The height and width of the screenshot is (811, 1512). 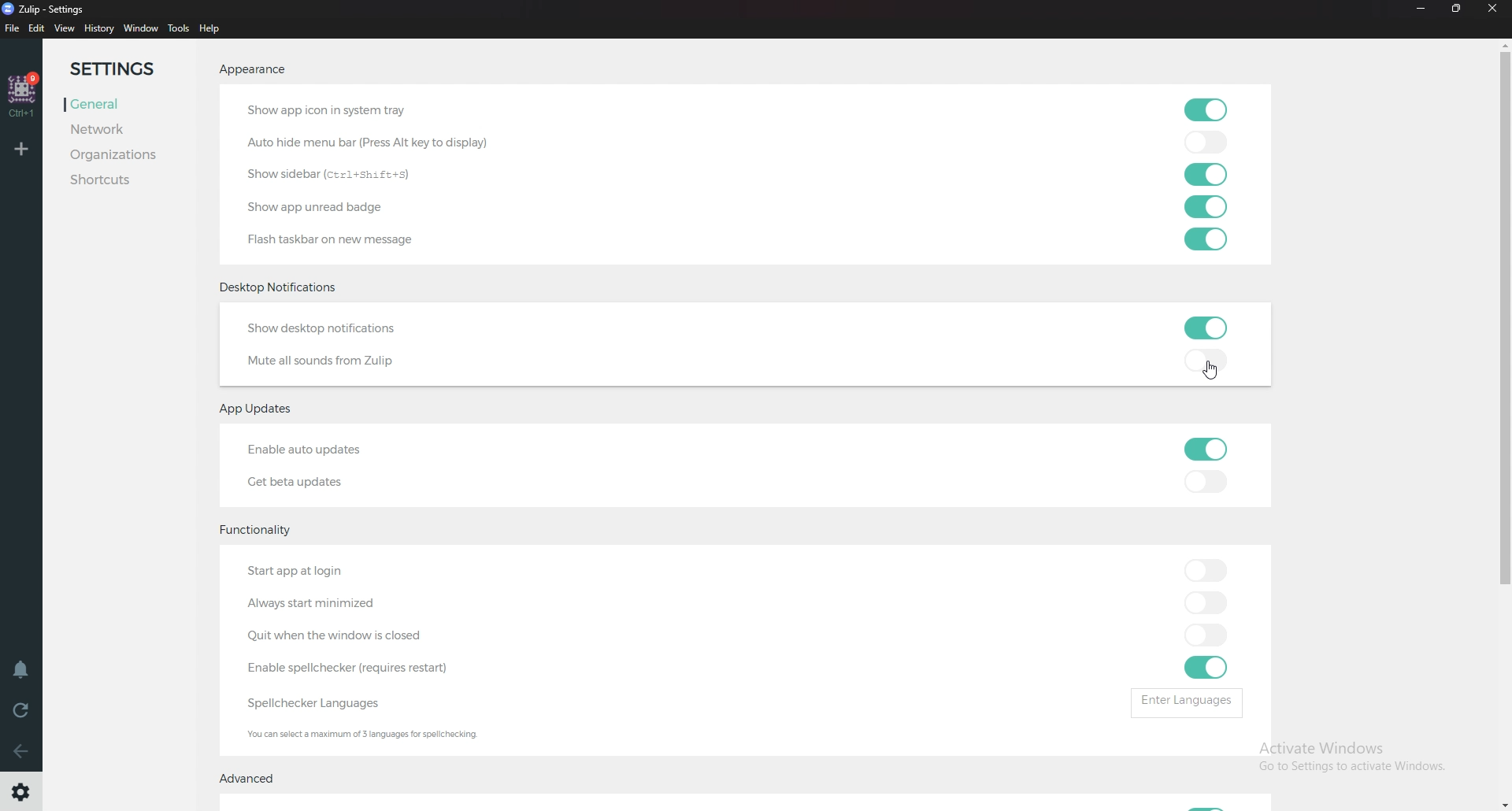 What do you see at coordinates (38, 28) in the screenshot?
I see `Edit` at bounding box center [38, 28].